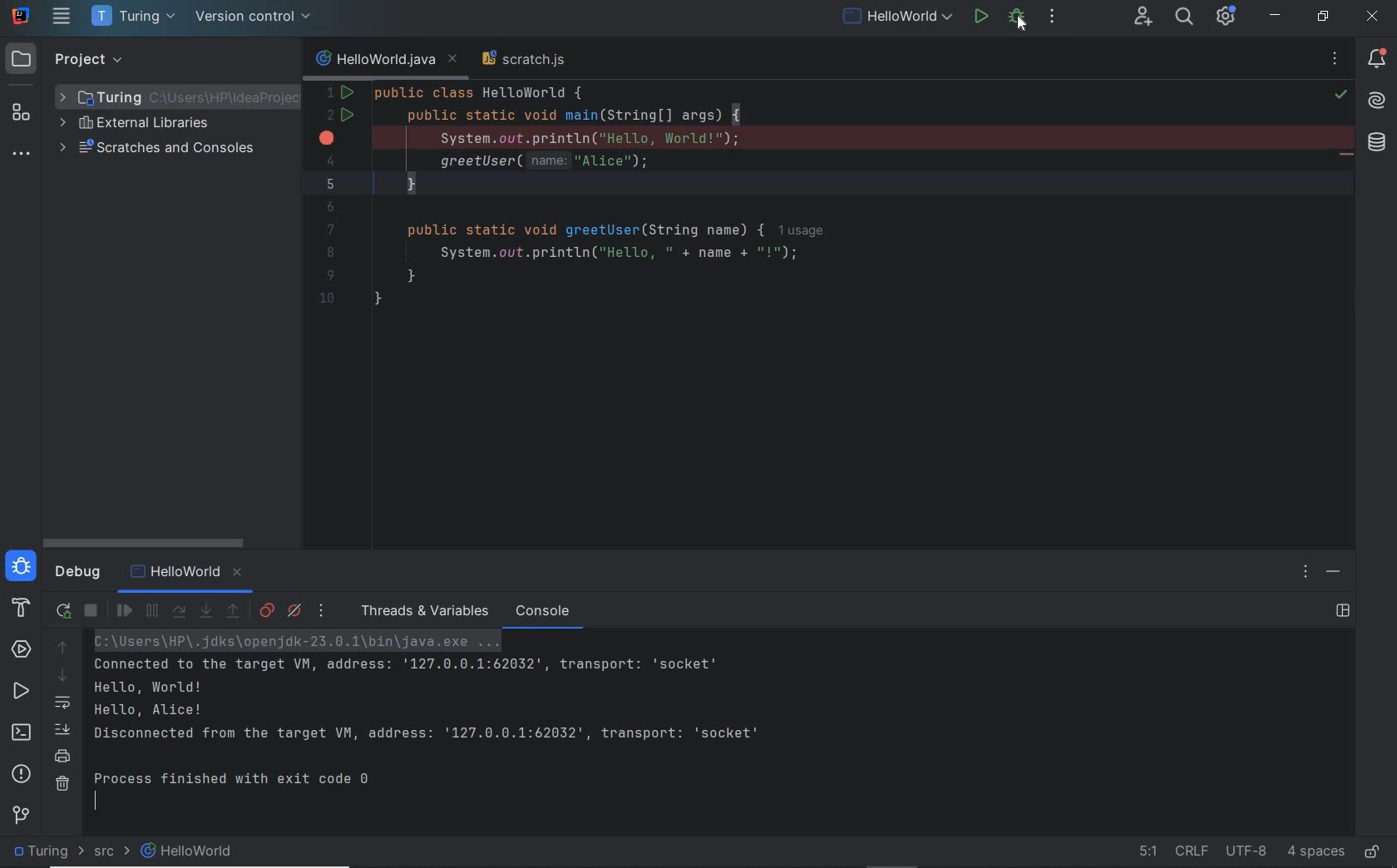 This screenshot has height=868, width=1397. What do you see at coordinates (1316, 851) in the screenshot?
I see `indent` at bounding box center [1316, 851].